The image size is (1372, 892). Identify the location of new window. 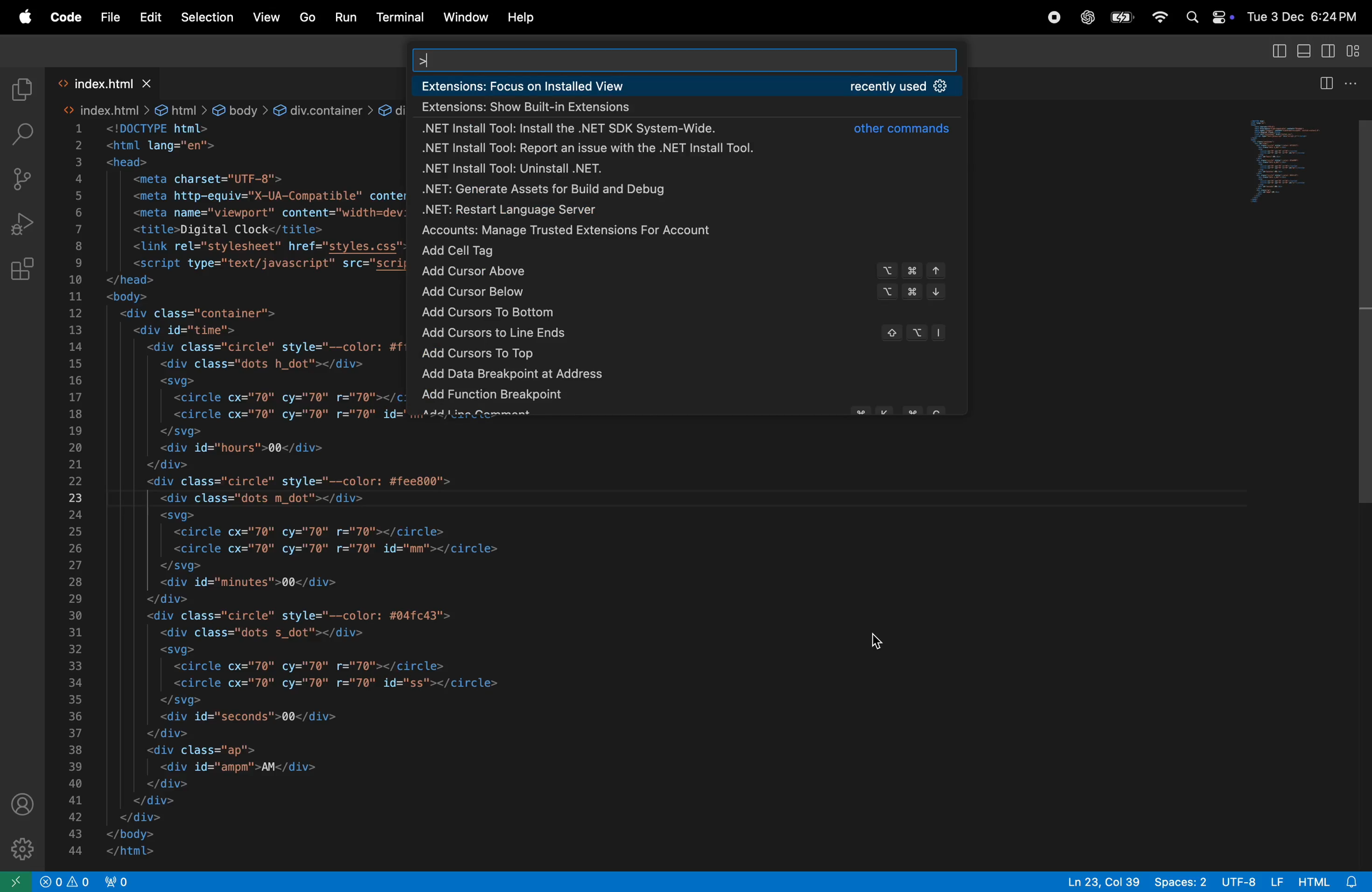
(14, 881).